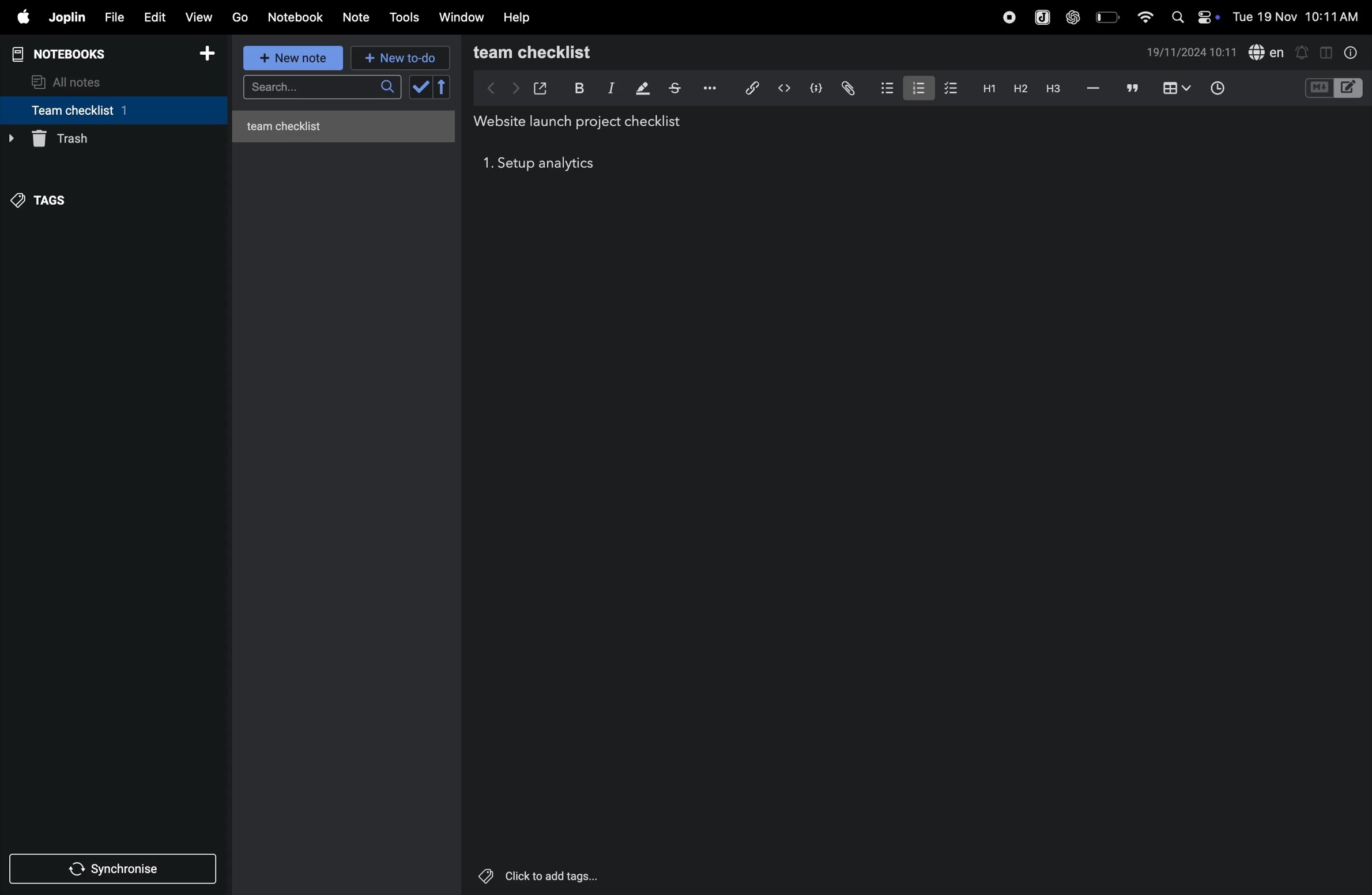 The height and width of the screenshot is (895, 1372). Describe the element at coordinates (240, 18) in the screenshot. I see `go` at that location.